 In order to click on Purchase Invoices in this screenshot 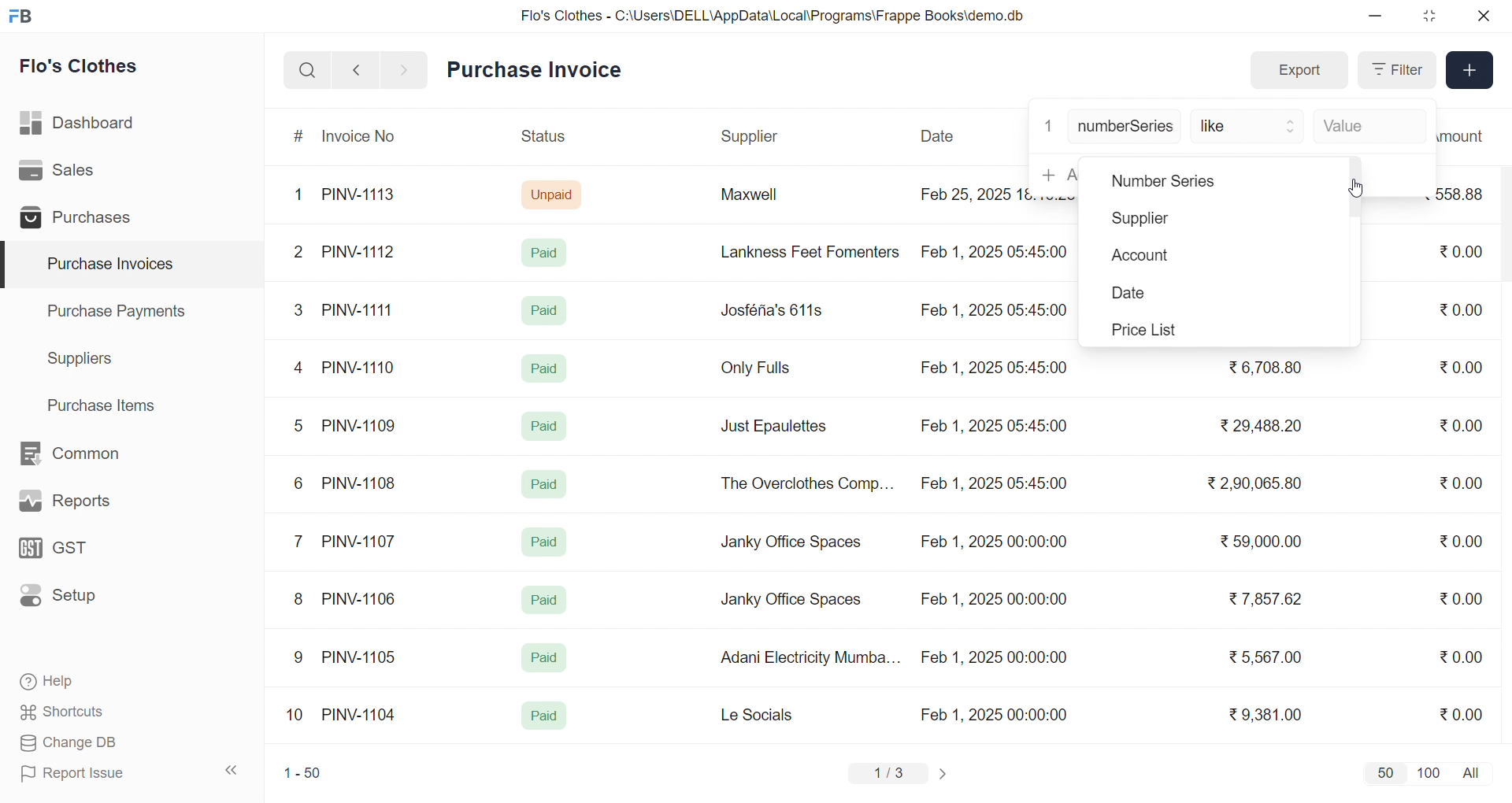, I will do `click(108, 265)`.